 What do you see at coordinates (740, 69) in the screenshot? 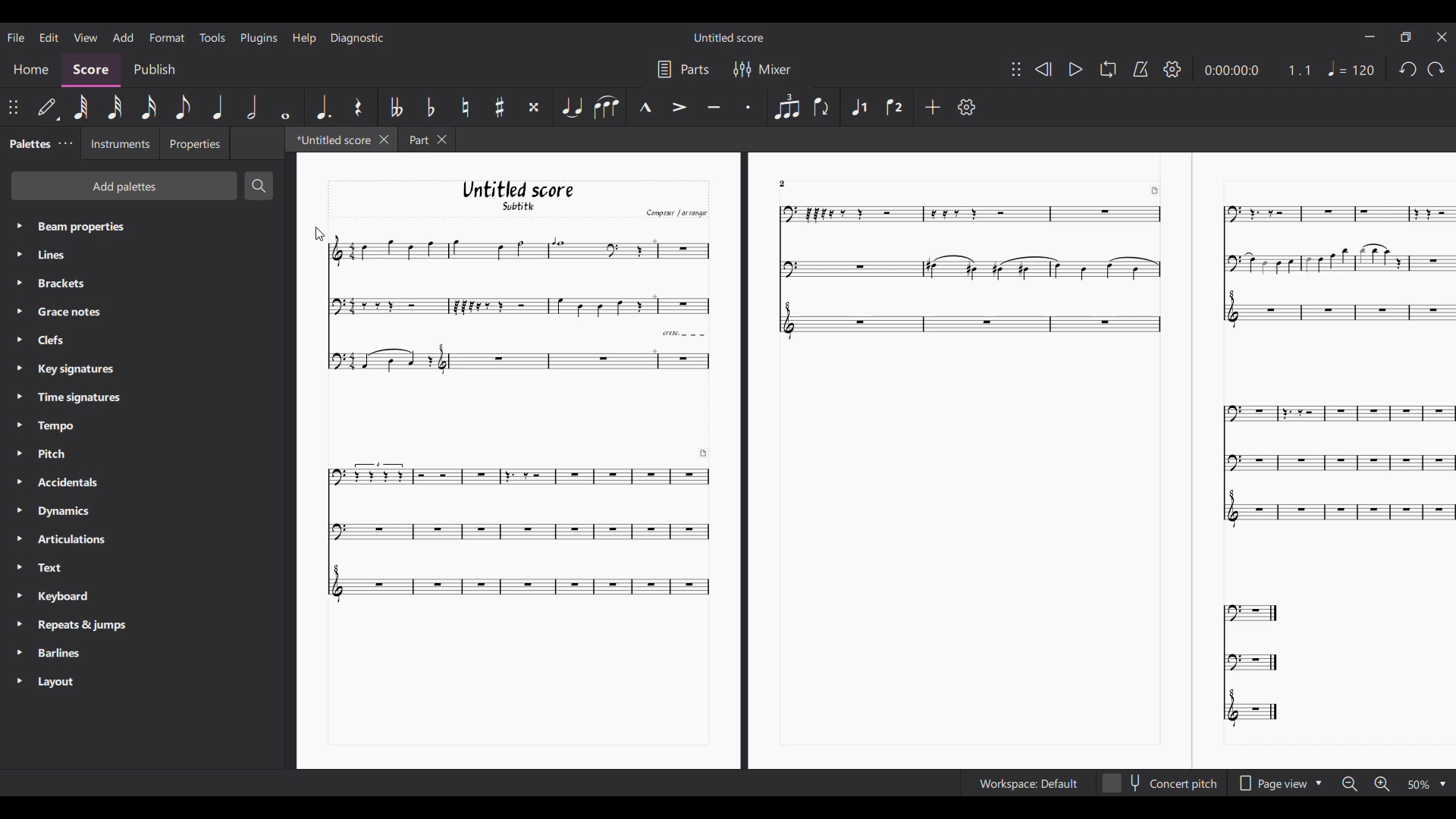
I see `Filter` at bounding box center [740, 69].